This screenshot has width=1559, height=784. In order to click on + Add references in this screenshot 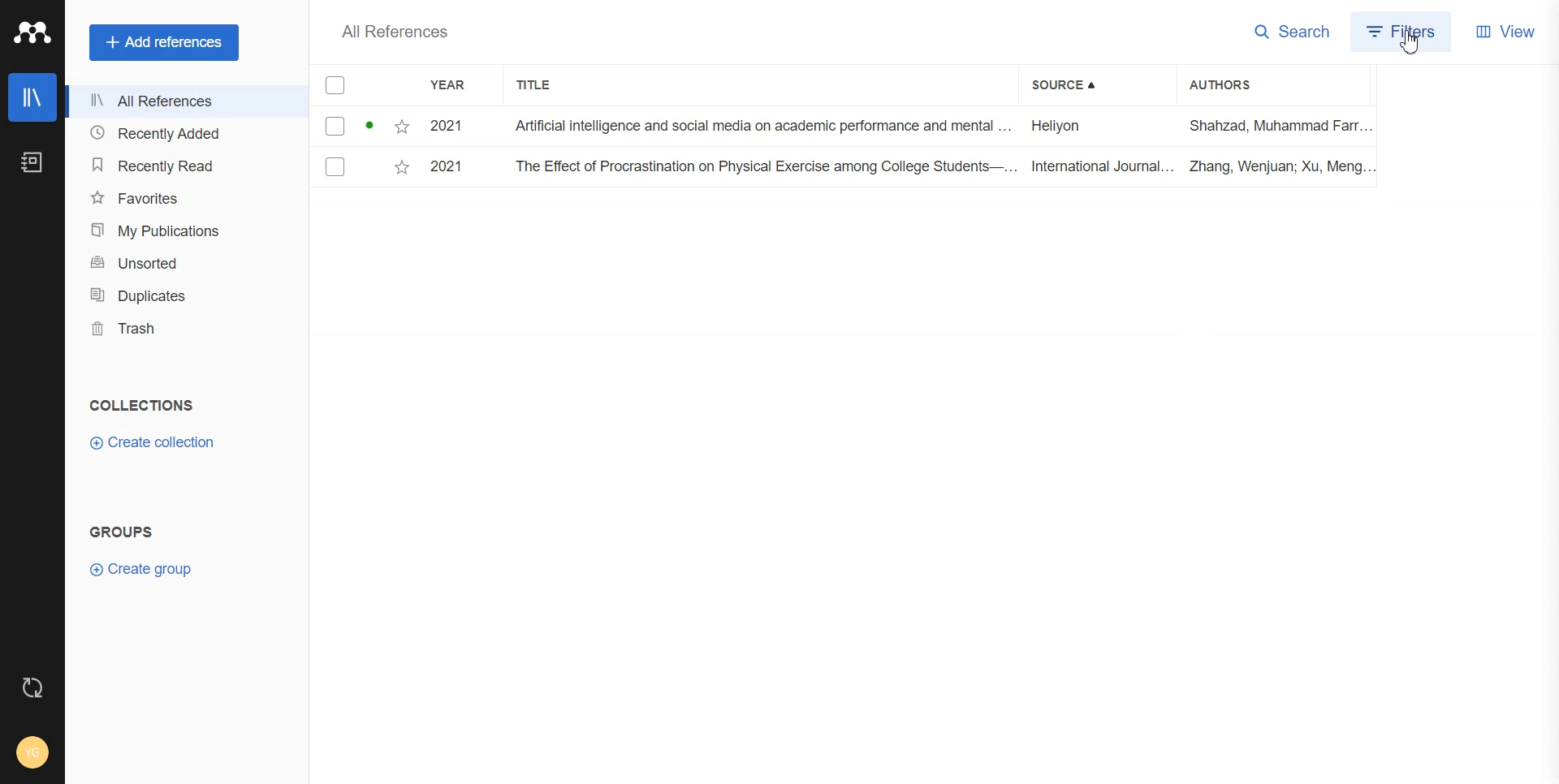, I will do `click(163, 42)`.